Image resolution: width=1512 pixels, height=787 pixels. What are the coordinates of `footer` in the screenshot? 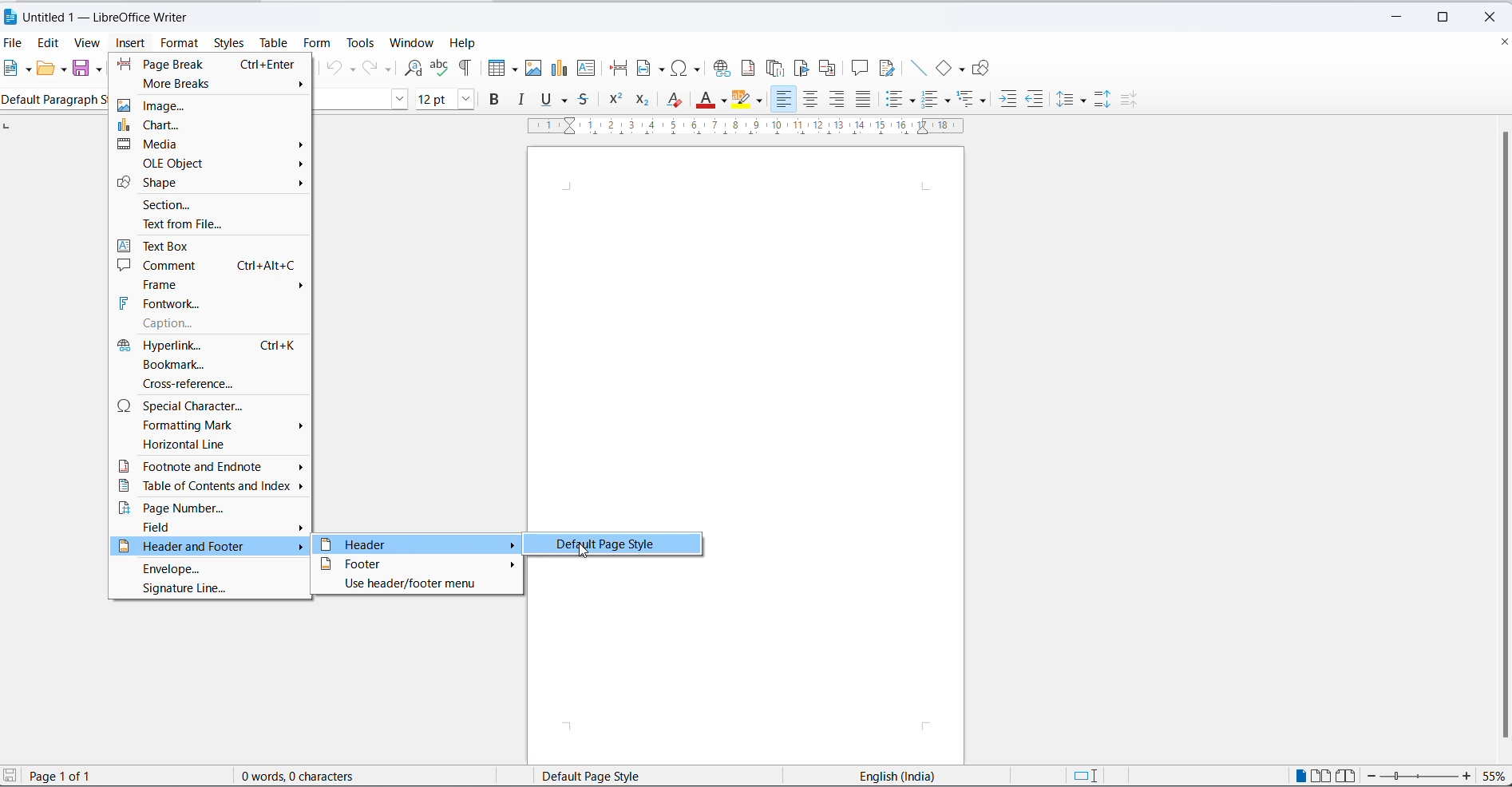 It's located at (417, 563).